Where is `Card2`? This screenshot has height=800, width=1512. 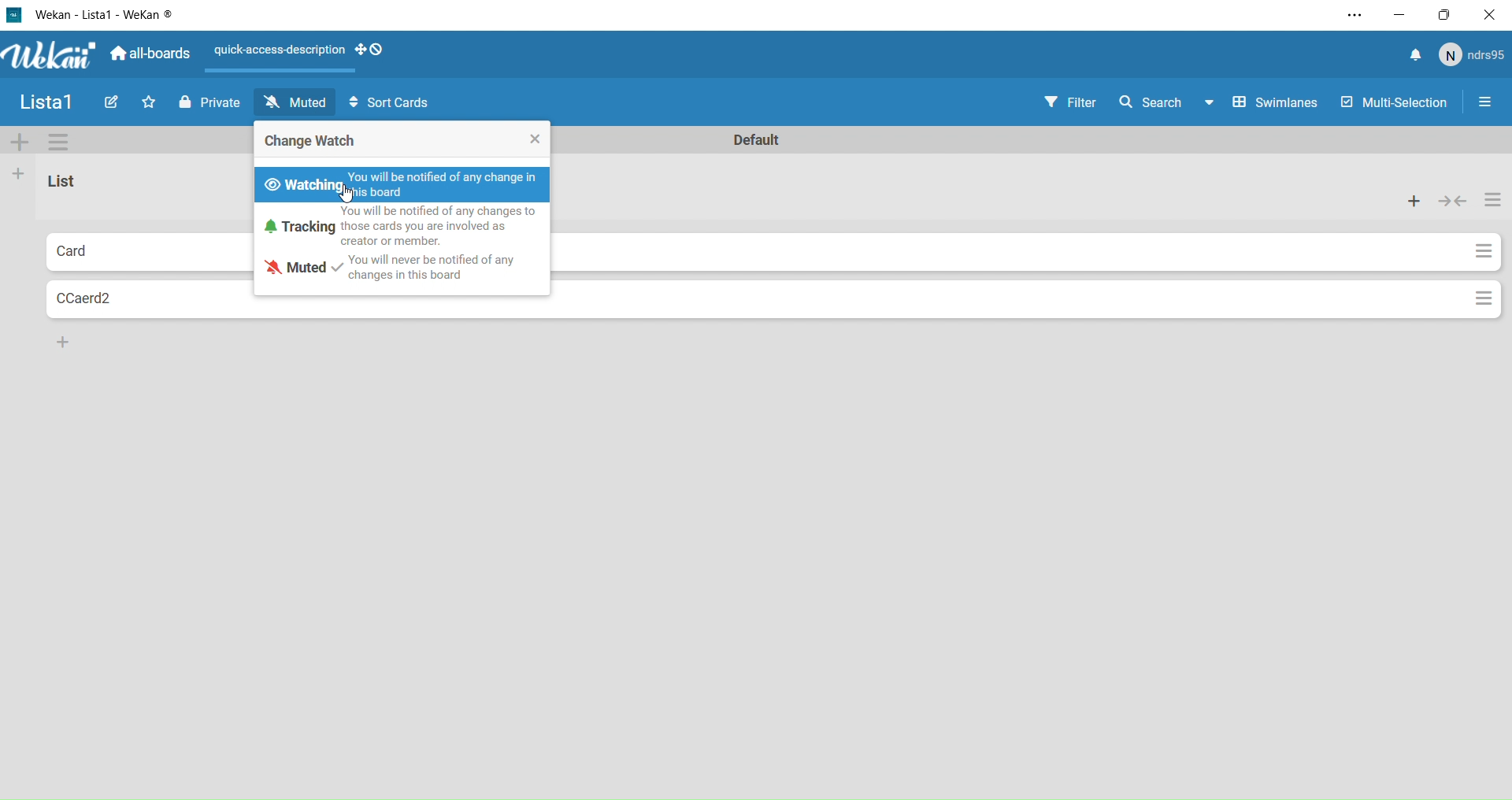 Card2 is located at coordinates (130, 301).